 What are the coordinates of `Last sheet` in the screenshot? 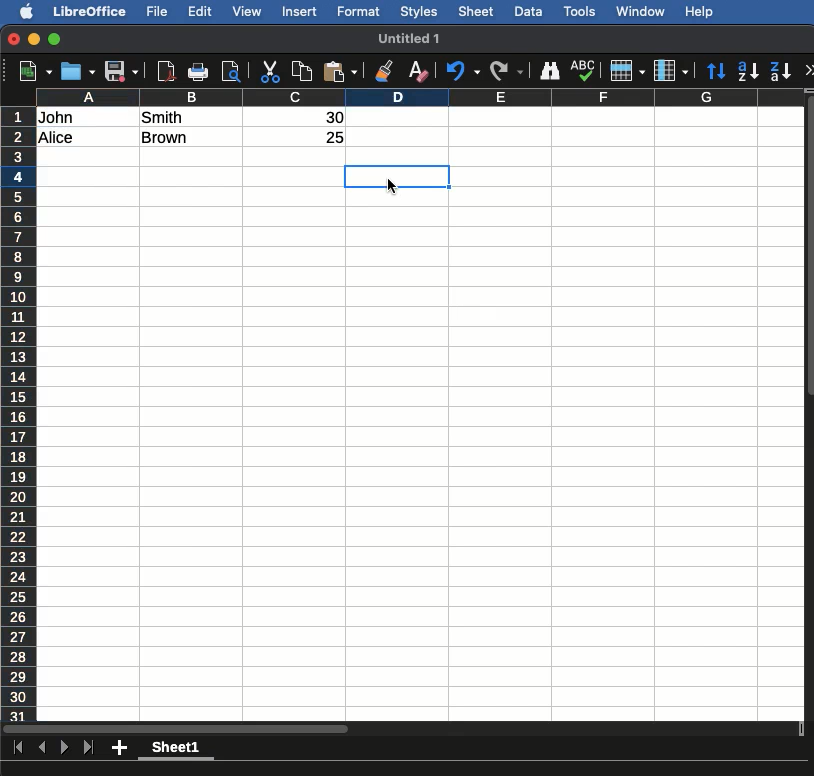 It's located at (88, 748).